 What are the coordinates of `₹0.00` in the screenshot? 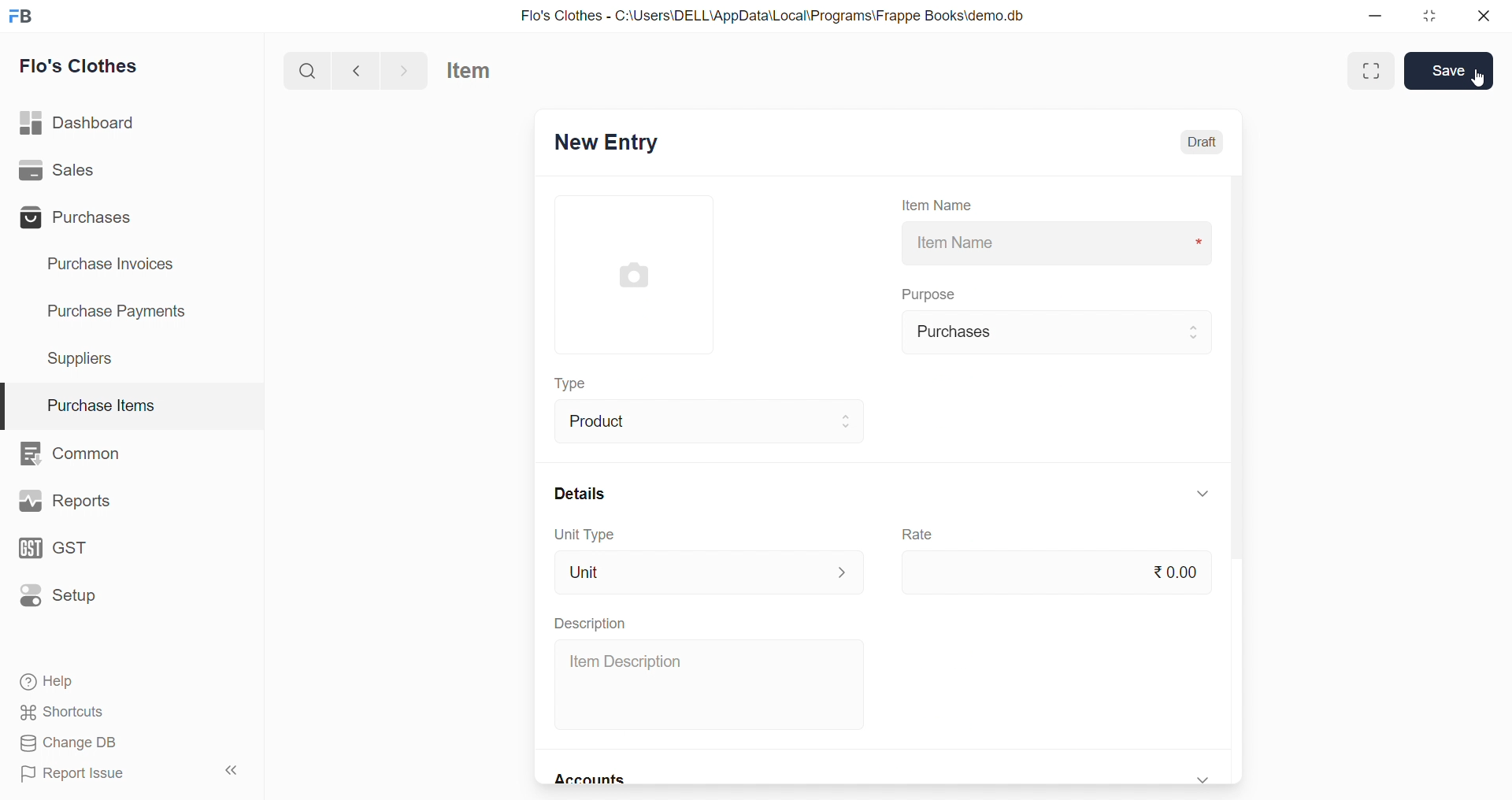 It's located at (1053, 572).